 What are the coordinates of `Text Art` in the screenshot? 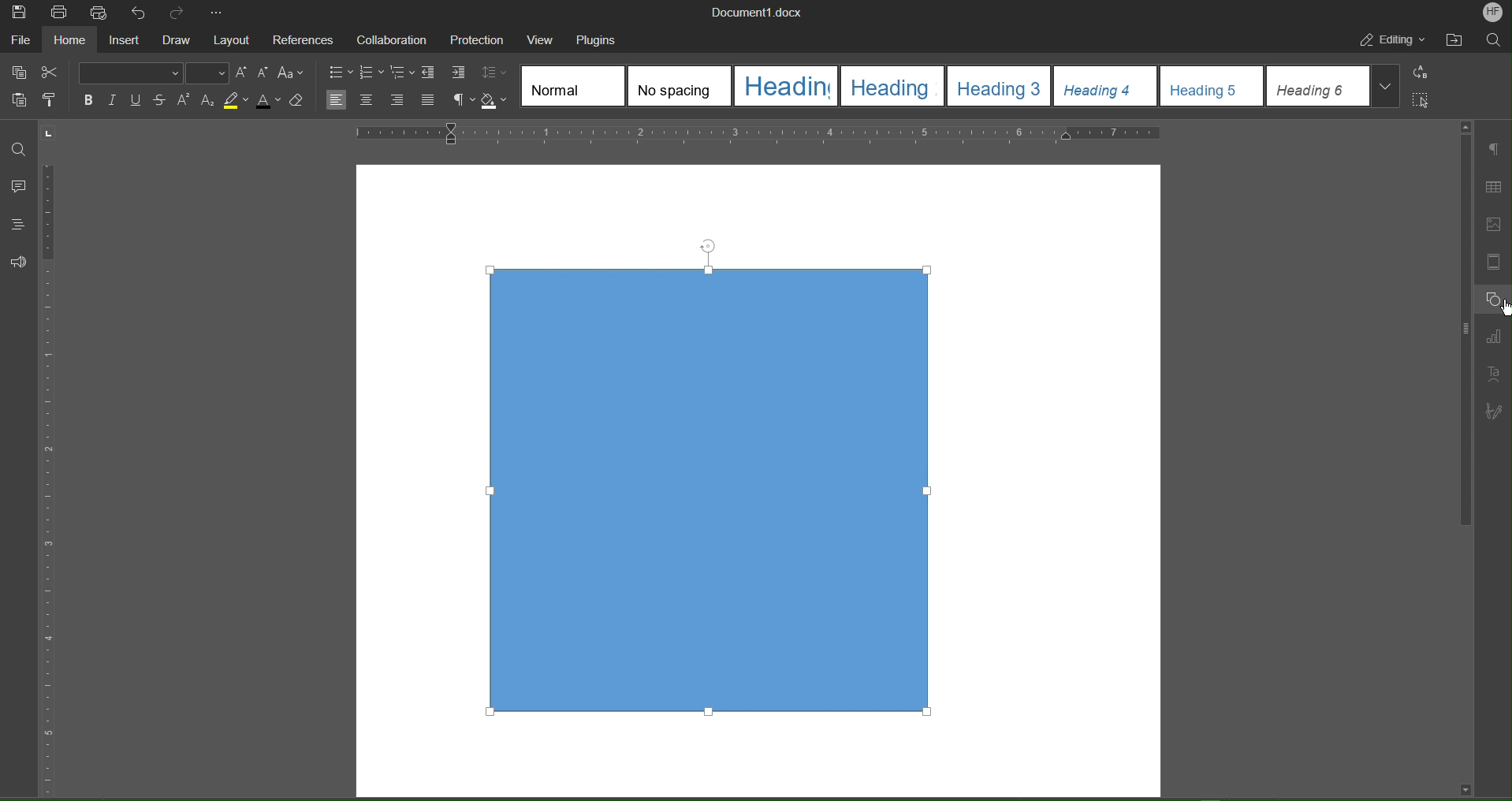 It's located at (1496, 371).